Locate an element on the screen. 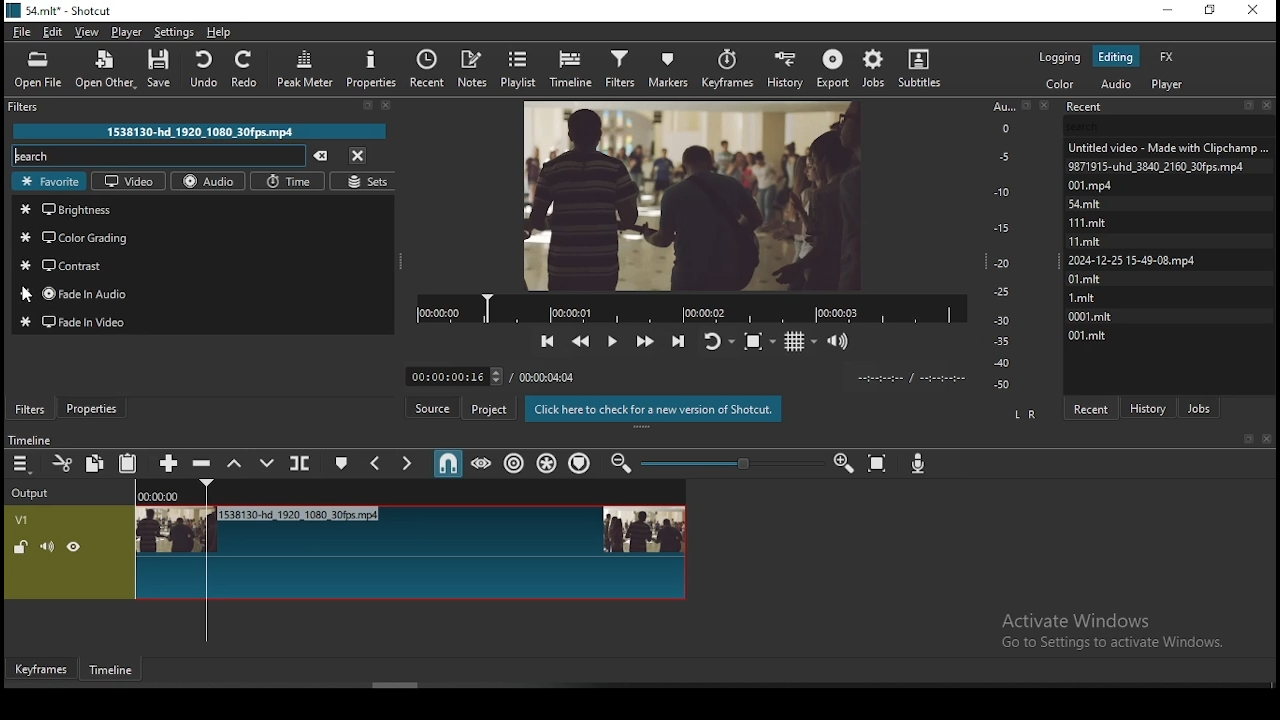 The width and height of the screenshot is (1280, 720). filters is located at coordinates (620, 67).